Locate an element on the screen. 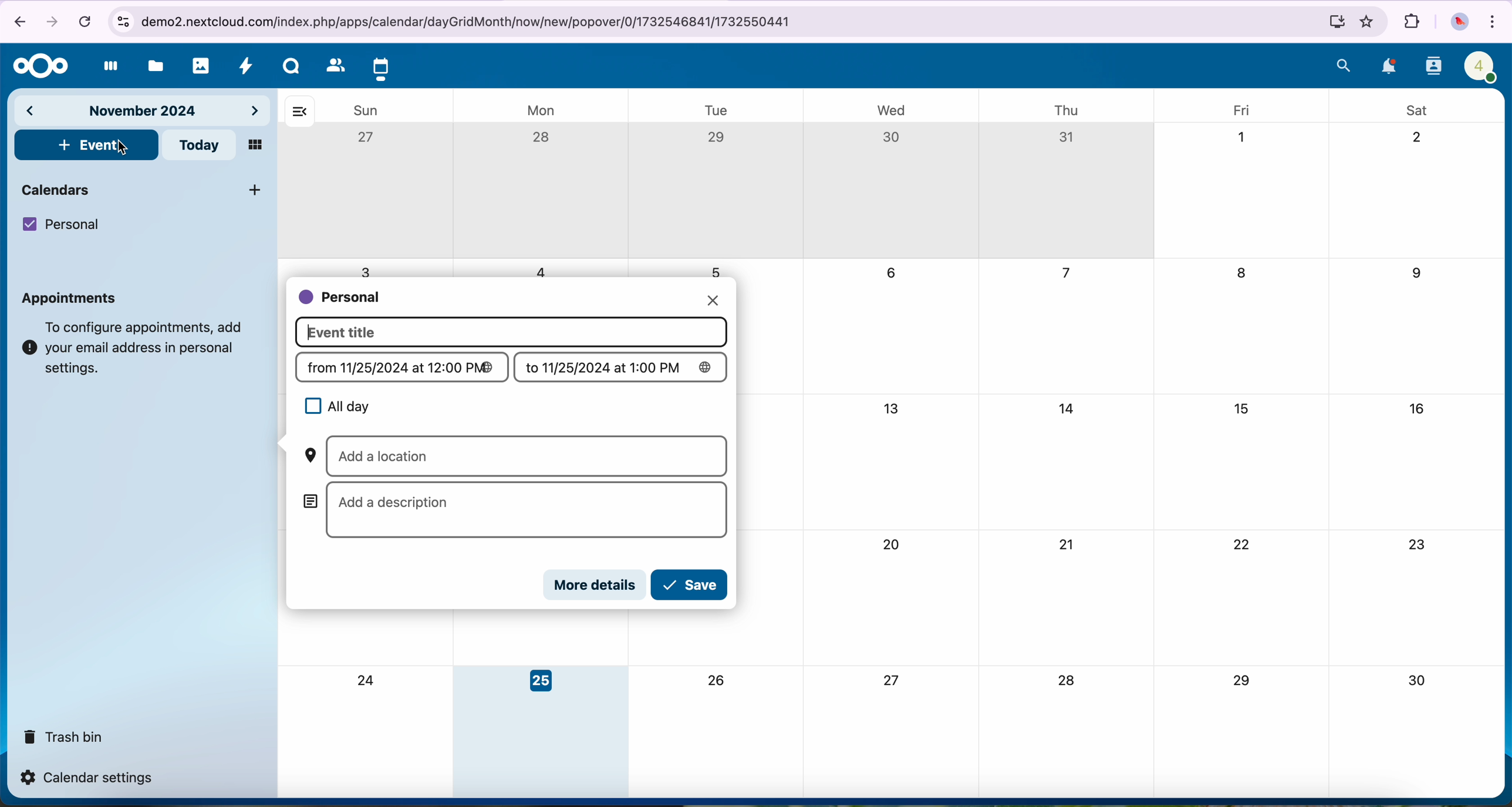  Talk is located at coordinates (291, 66).